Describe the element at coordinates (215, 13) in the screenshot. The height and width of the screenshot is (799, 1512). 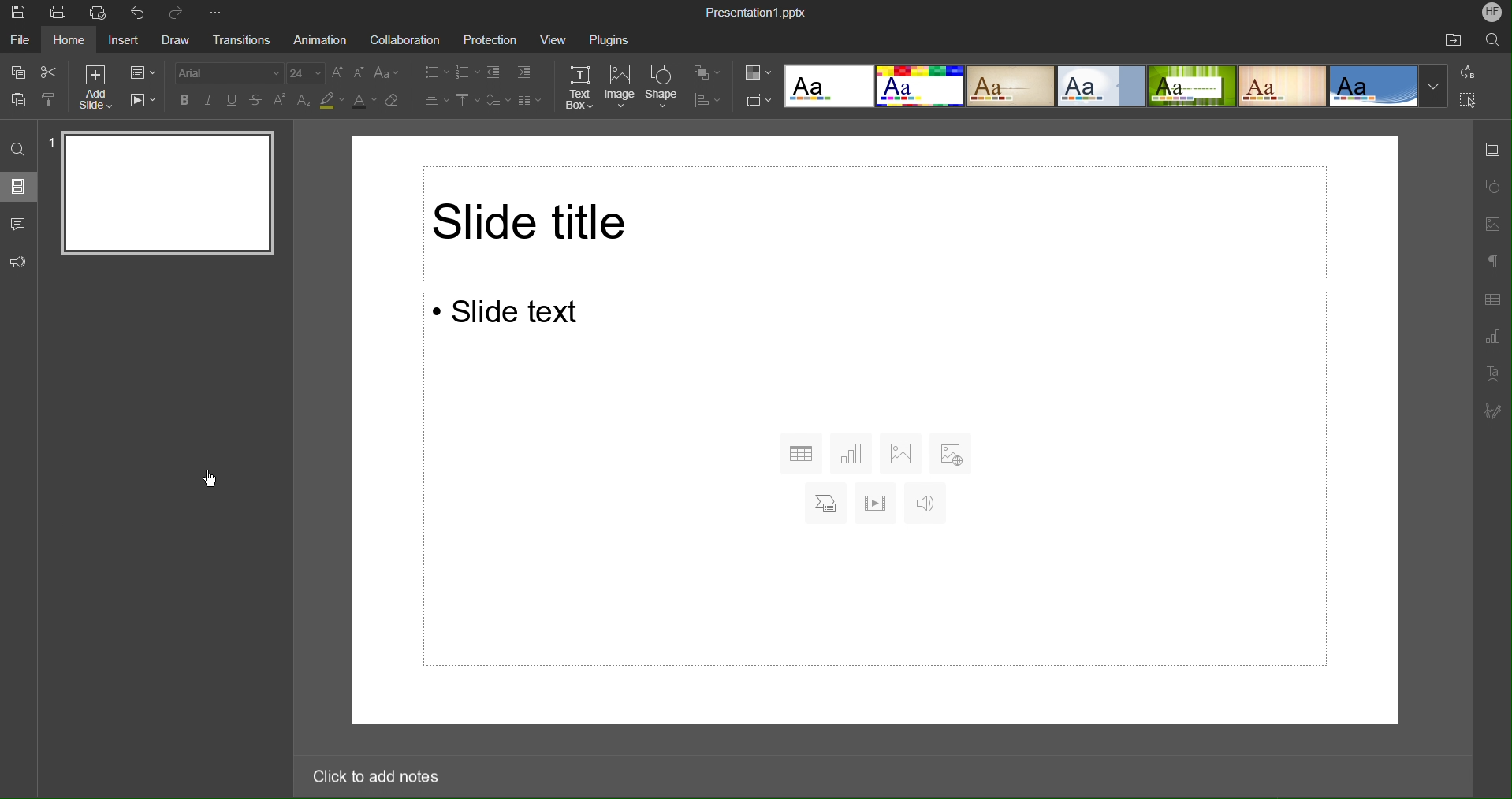
I see `More Options` at that location.